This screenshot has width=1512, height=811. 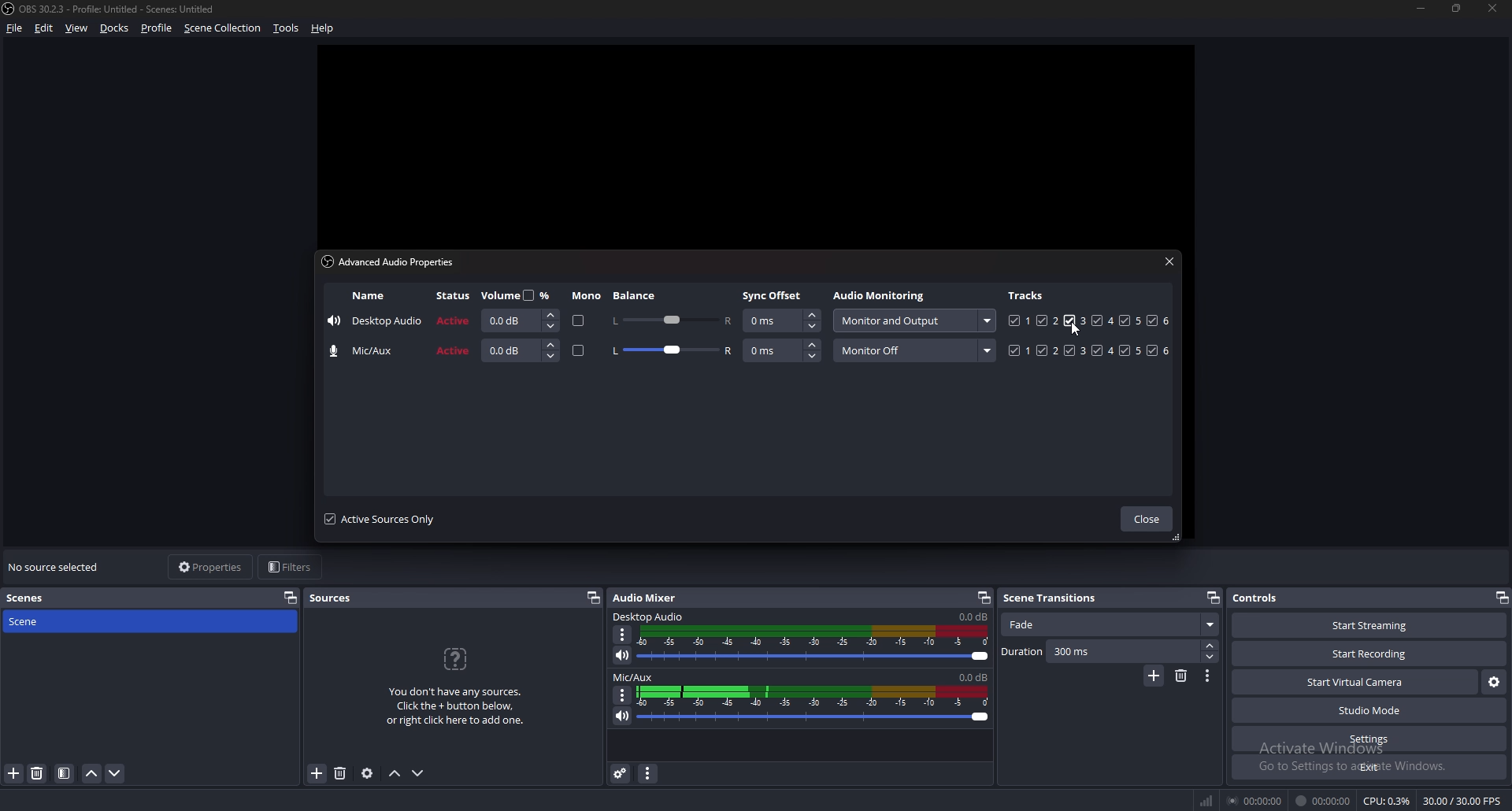 I want to click on configure virtual camera, so click(x=1493, y=683).